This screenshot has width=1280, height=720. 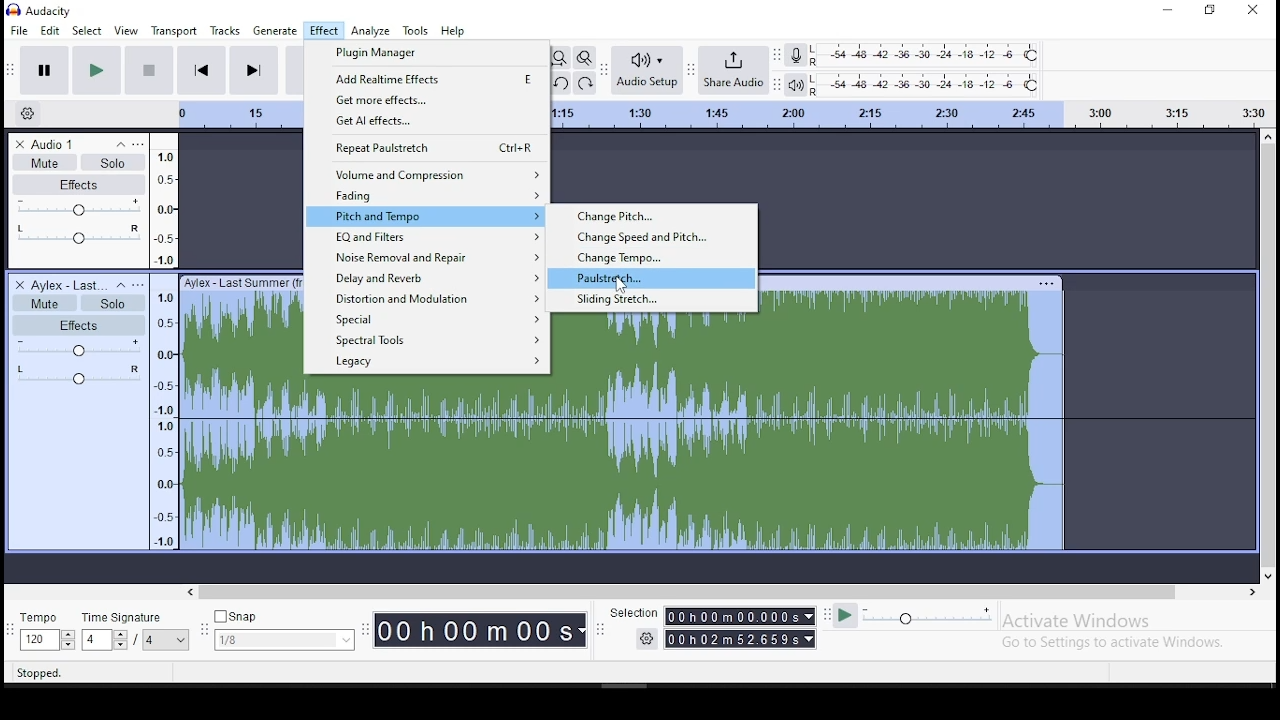 I want to click on analyze, so click(x=371, y=30).